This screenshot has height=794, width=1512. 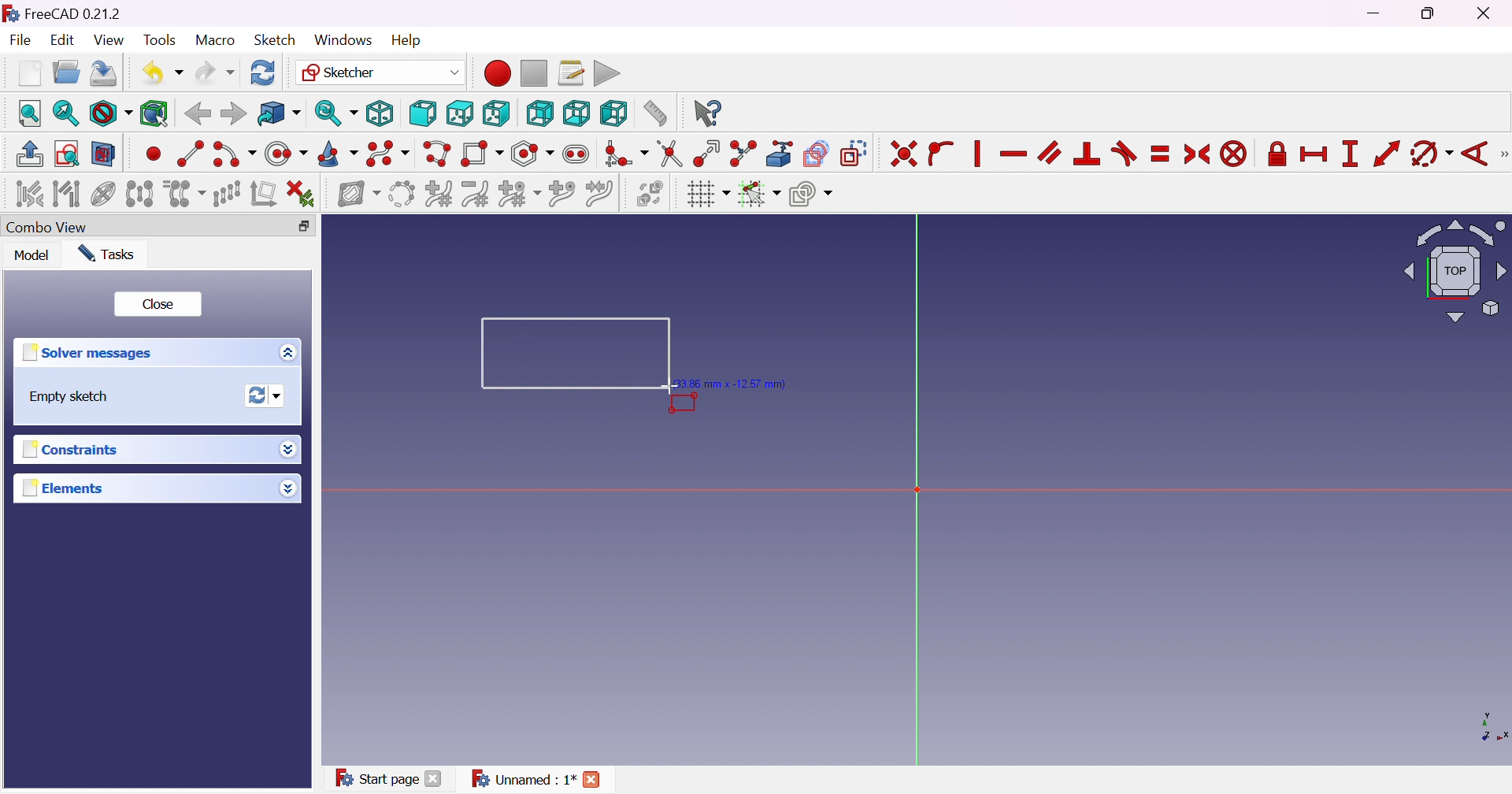 I want to click on Delete all constraints, so click(x=301, y=195).